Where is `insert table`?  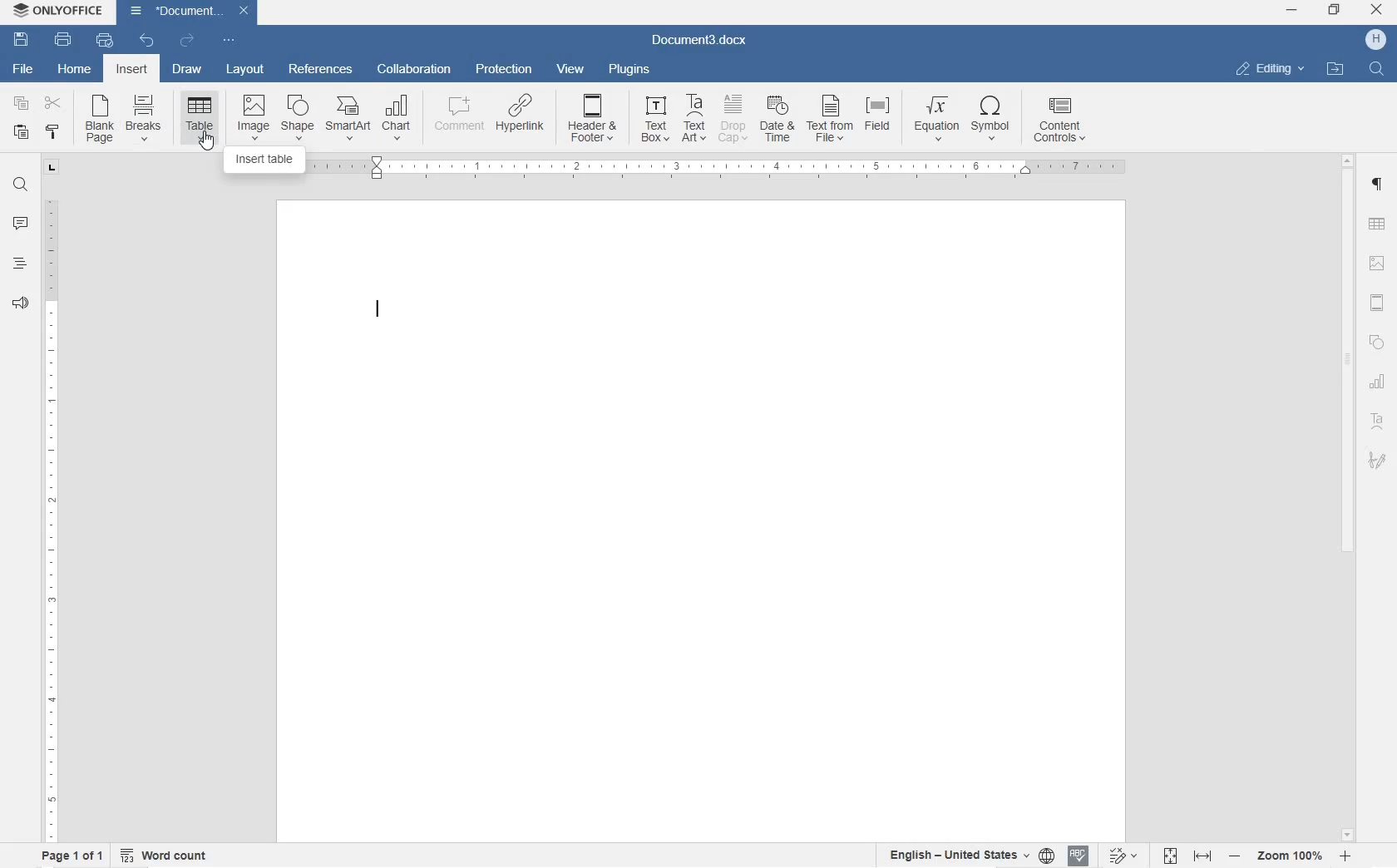
insert table is located at coordinates (200, 118).